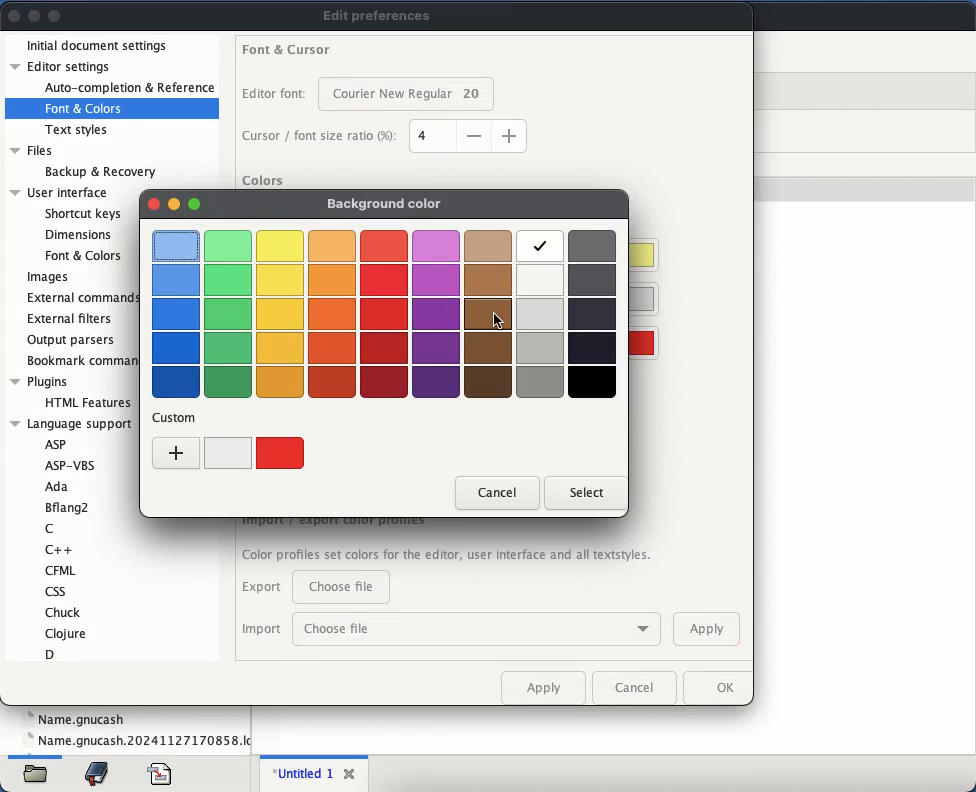 This screenshot has width=976, height=792. What do you see at coordinates (48, 278) in the screenshot?
I see `images` at bounding box center [48, 278].